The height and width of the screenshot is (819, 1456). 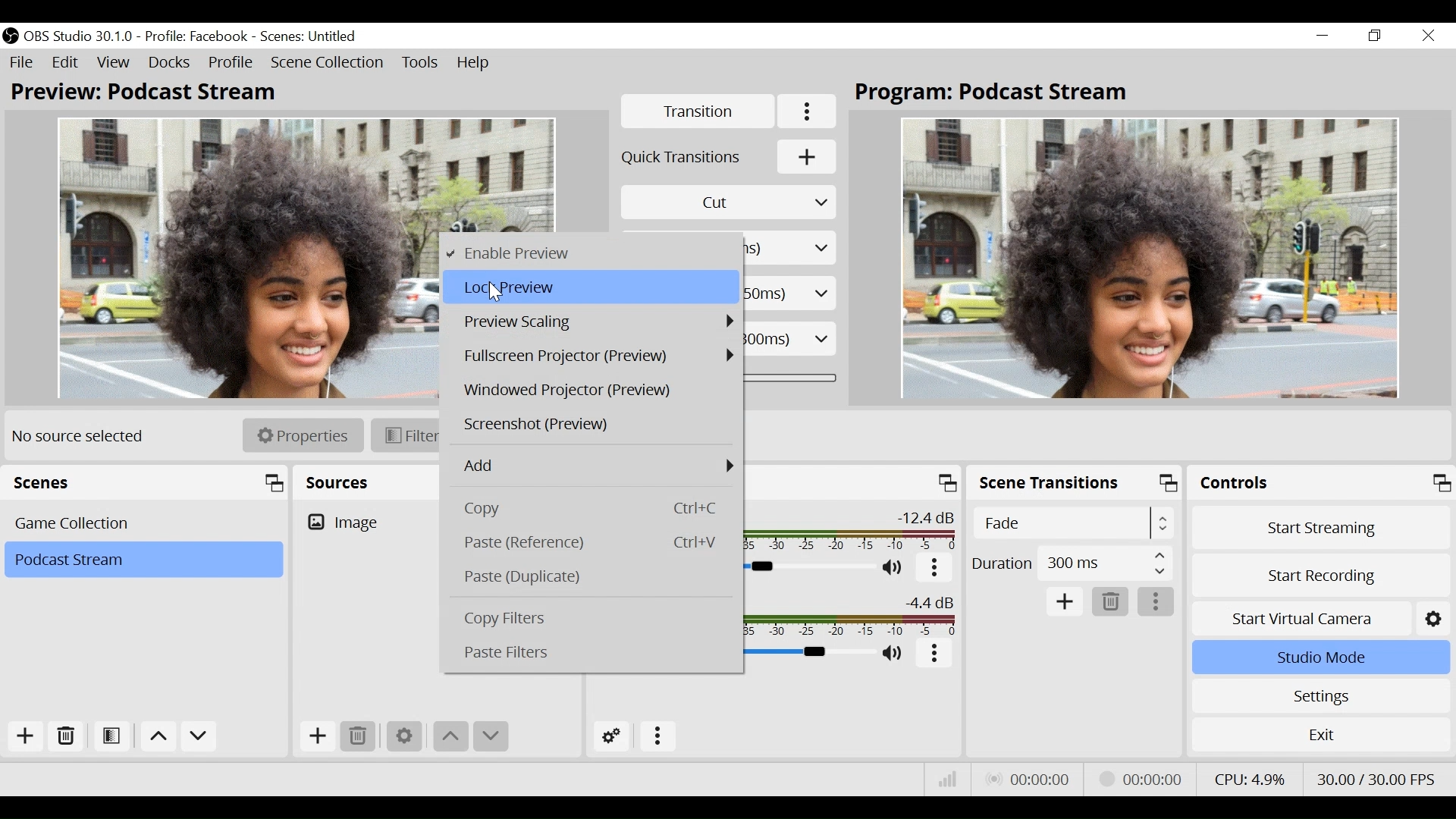 I want to click on Scenes, so click(x=145, y=524).